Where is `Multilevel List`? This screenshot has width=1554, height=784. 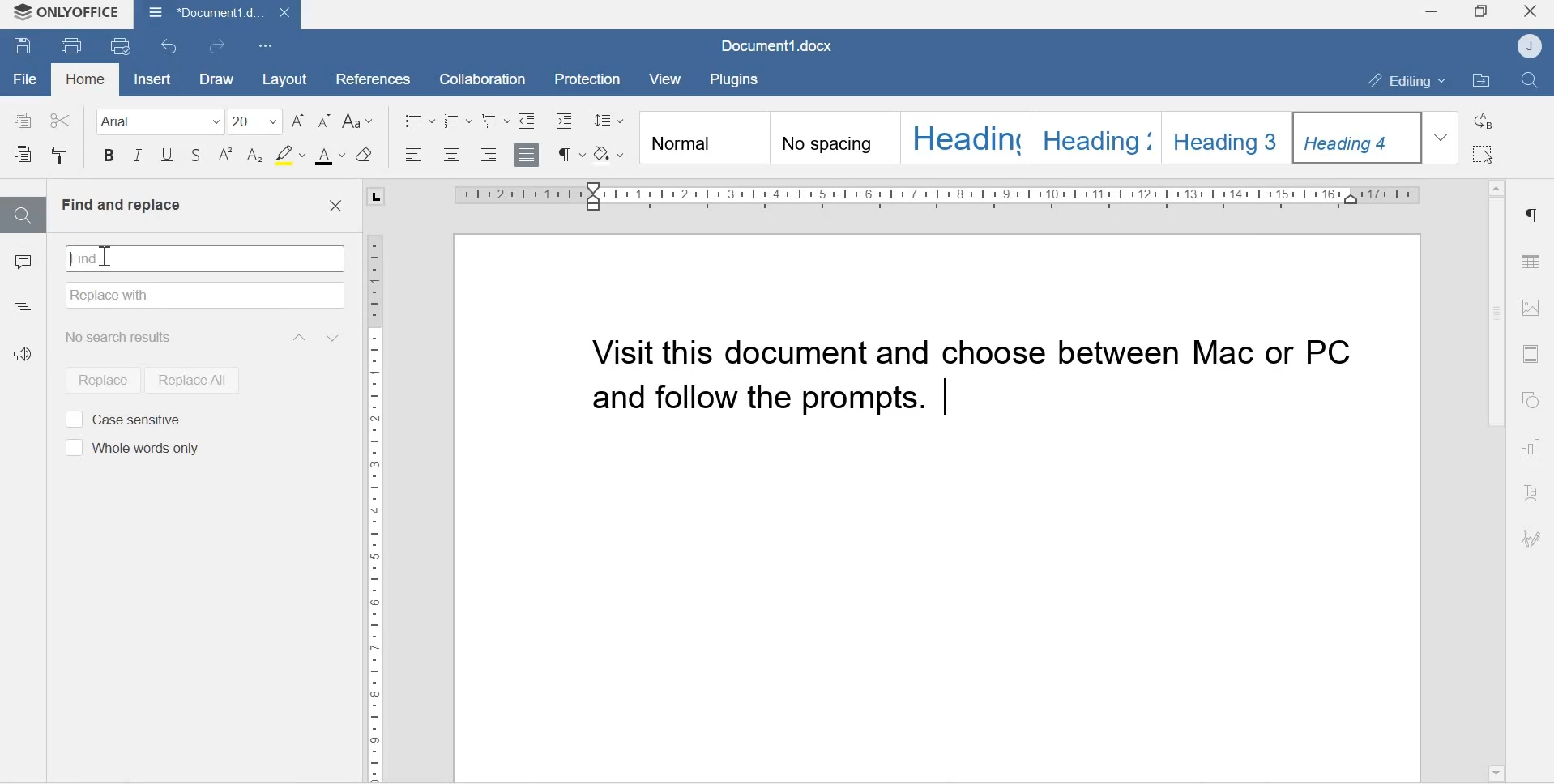
Multilevel List is located at coordinates (495, 120).